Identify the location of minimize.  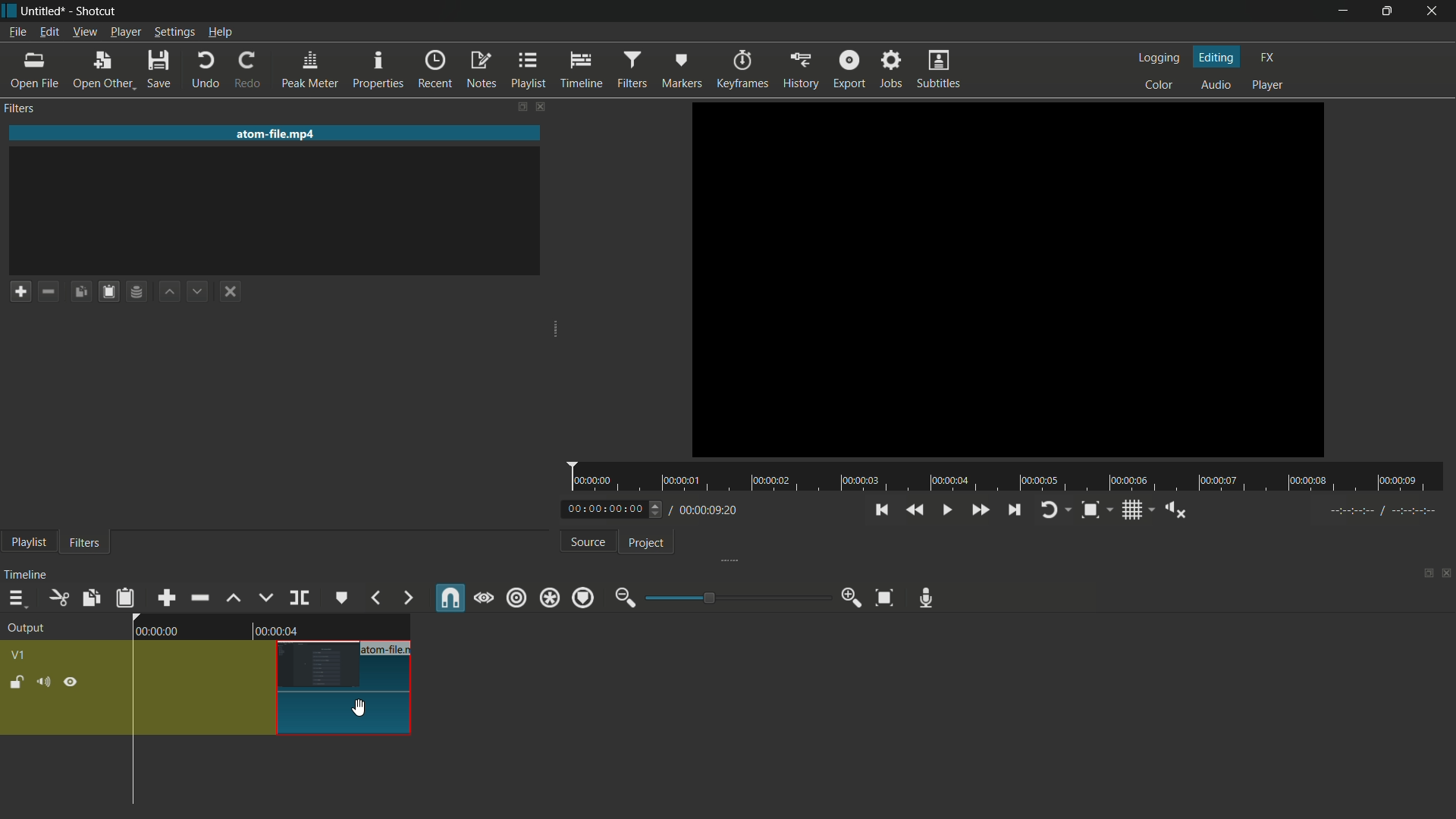
(624, 598).